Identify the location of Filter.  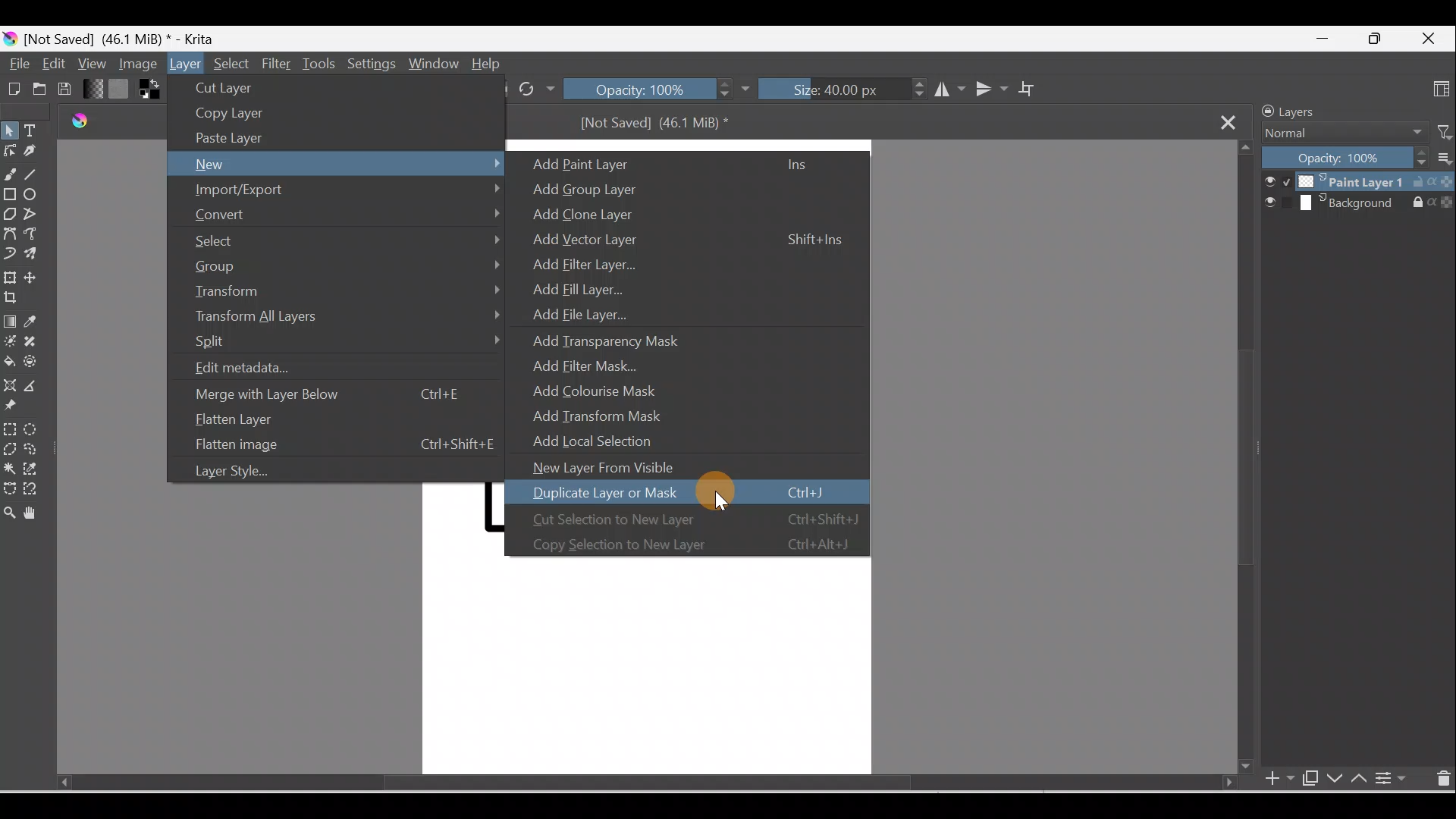
(1439, 131).